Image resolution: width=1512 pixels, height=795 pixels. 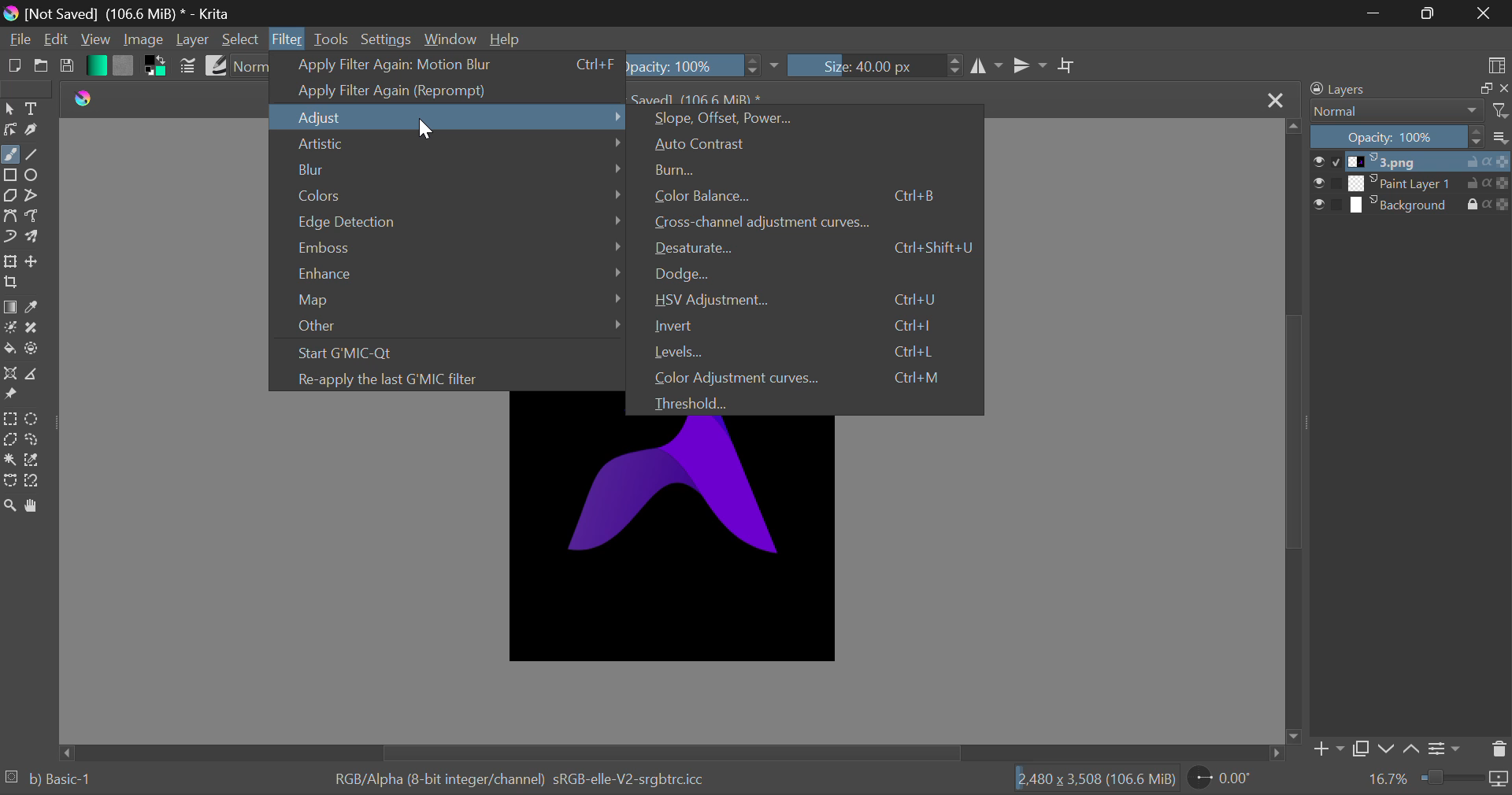 I want to click on Save, so click(x=70, y=66).